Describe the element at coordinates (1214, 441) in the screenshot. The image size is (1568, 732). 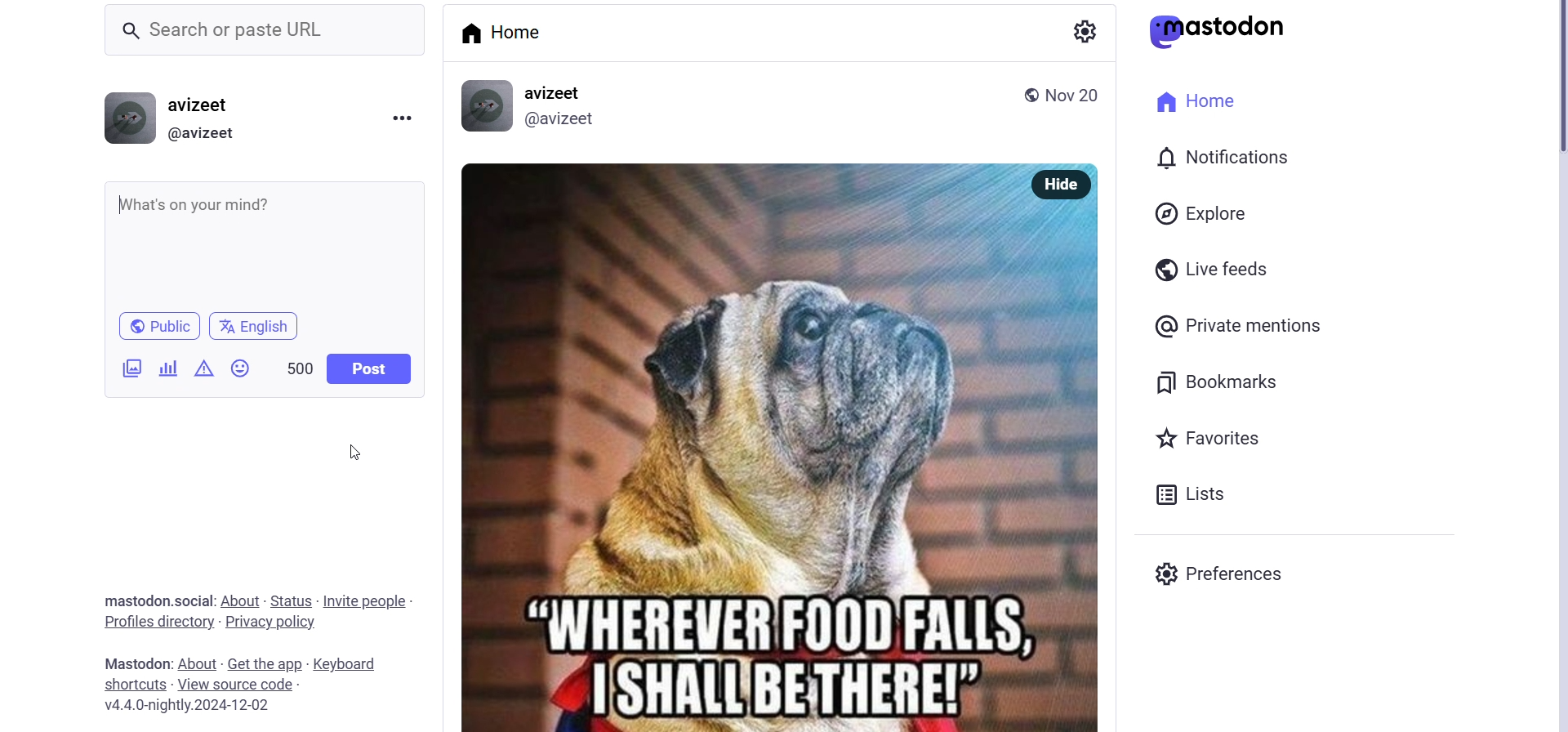
I see `favorites` at that location.